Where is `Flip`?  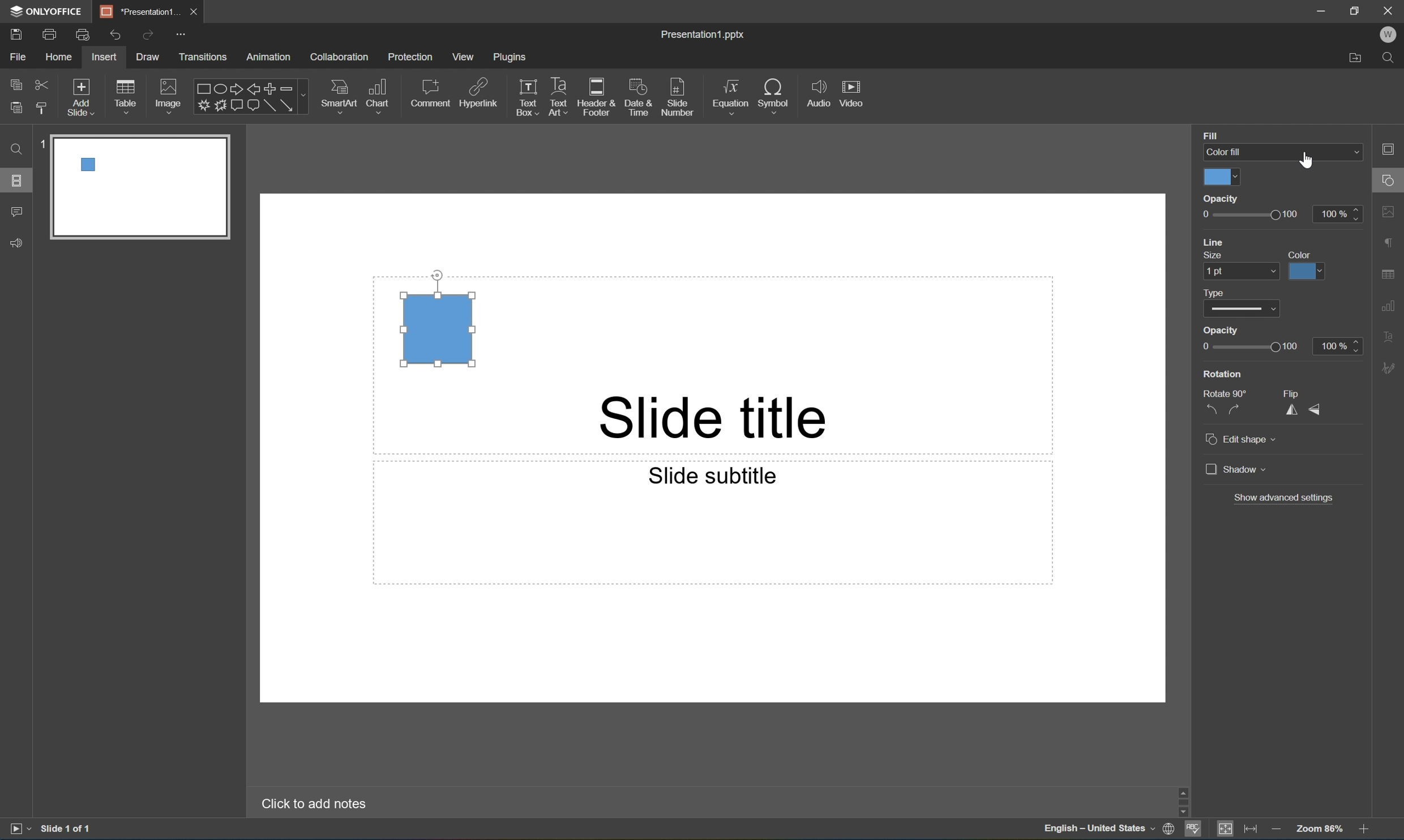
Flip is located at coordinates (1294, 393).